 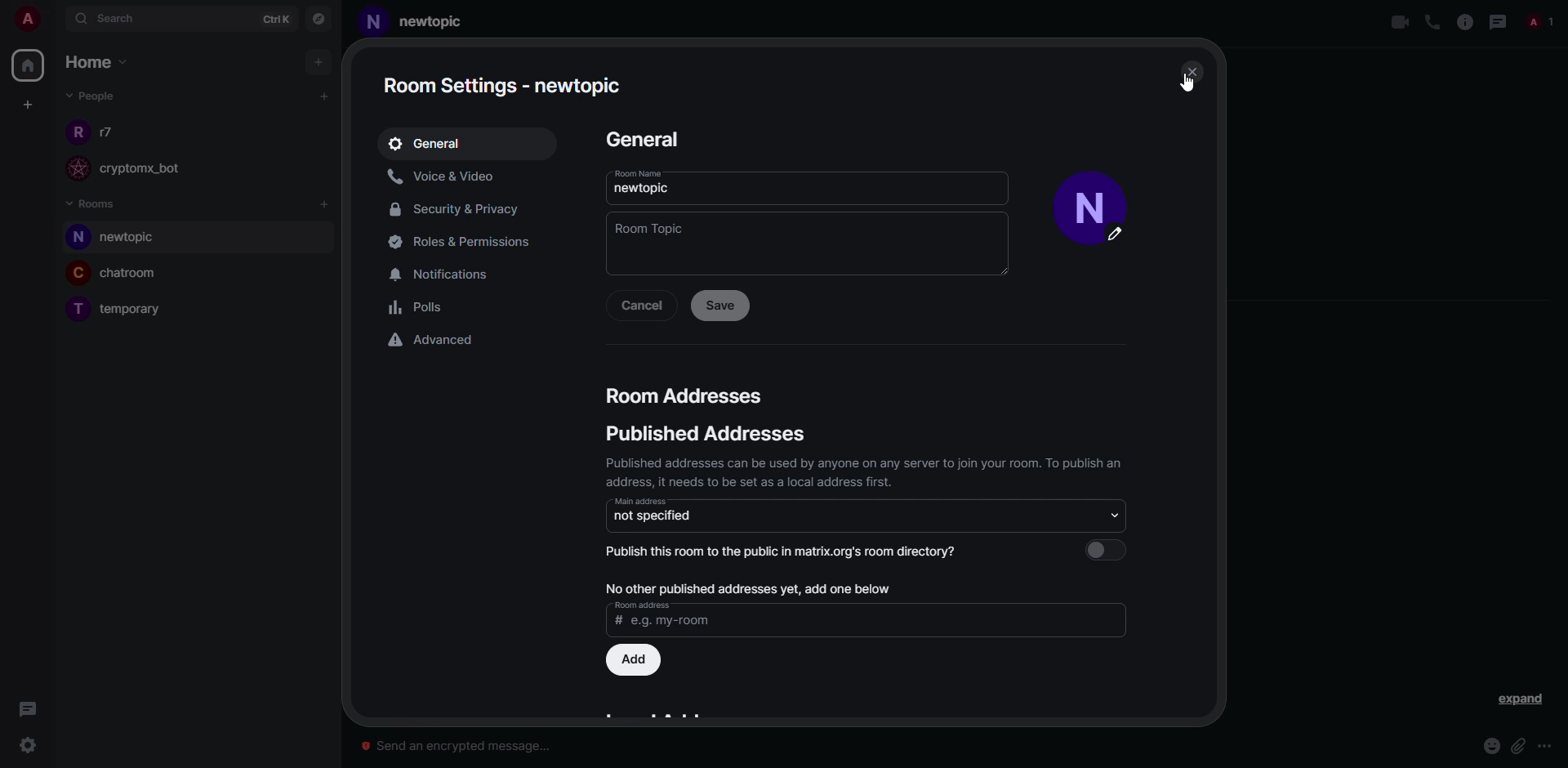 I want to click on rooms, so click(x=93, y=203).